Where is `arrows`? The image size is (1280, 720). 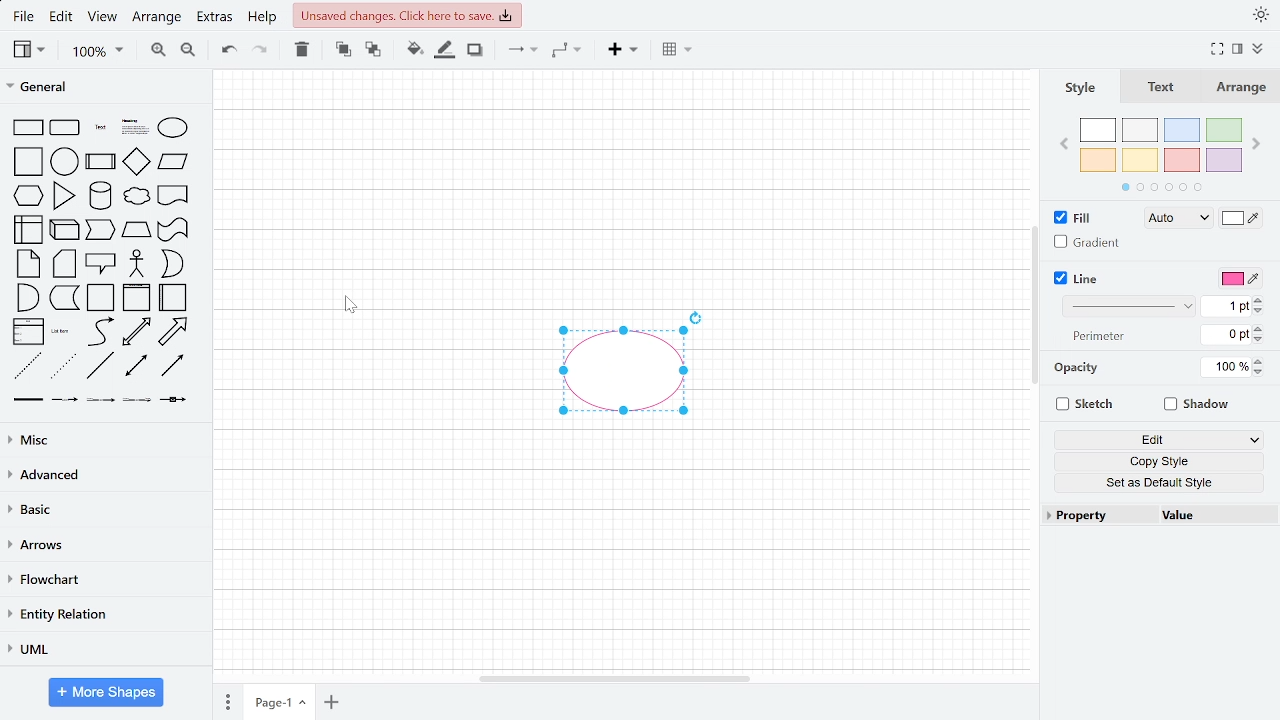
arrows is located at coordinates (100, 545).